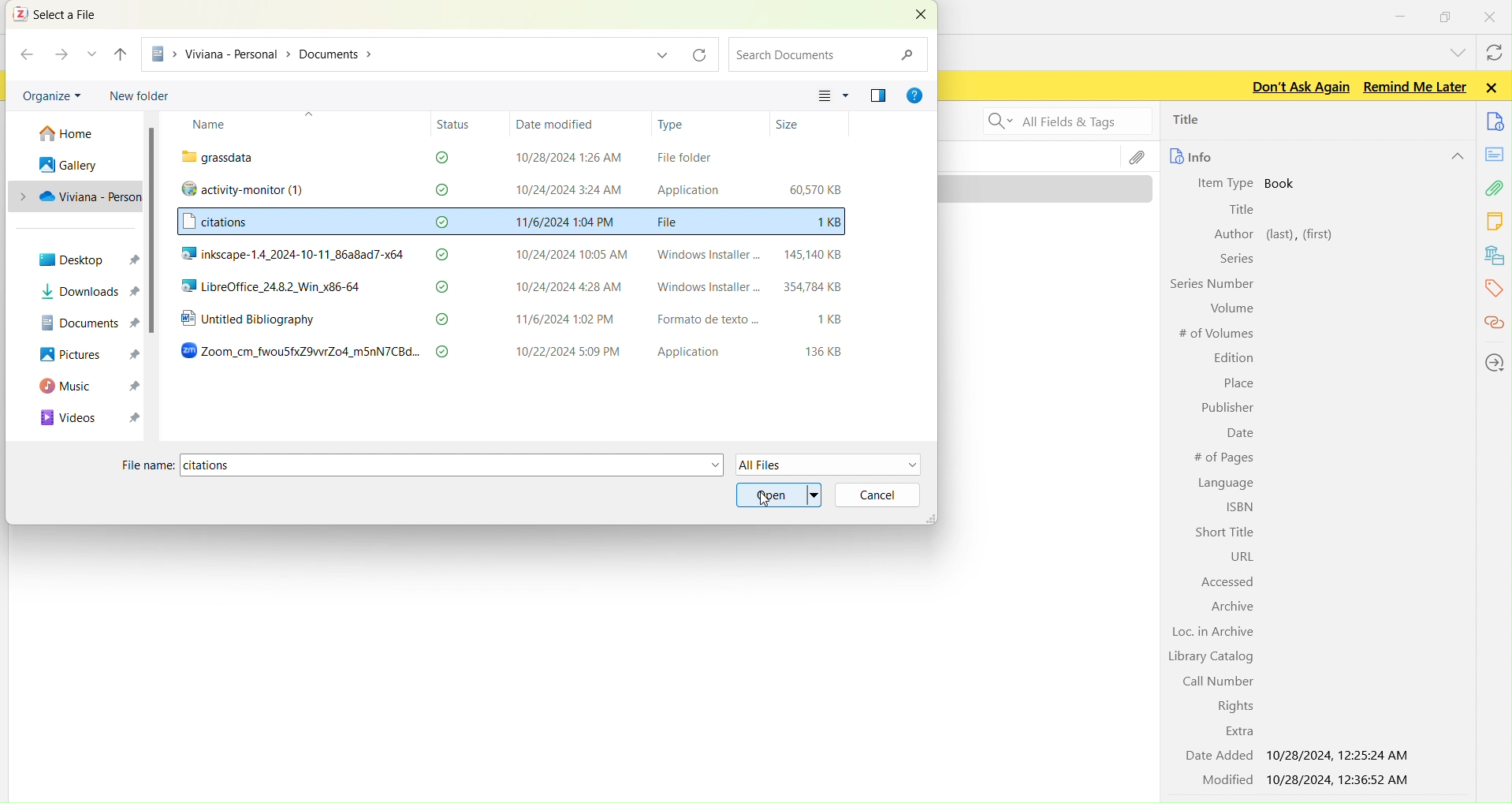 The image size is (1512, 803). Describe the element at coordinates (564, 351) in the screenshot. I see `10/22/2024 5:09 PM` at that location.